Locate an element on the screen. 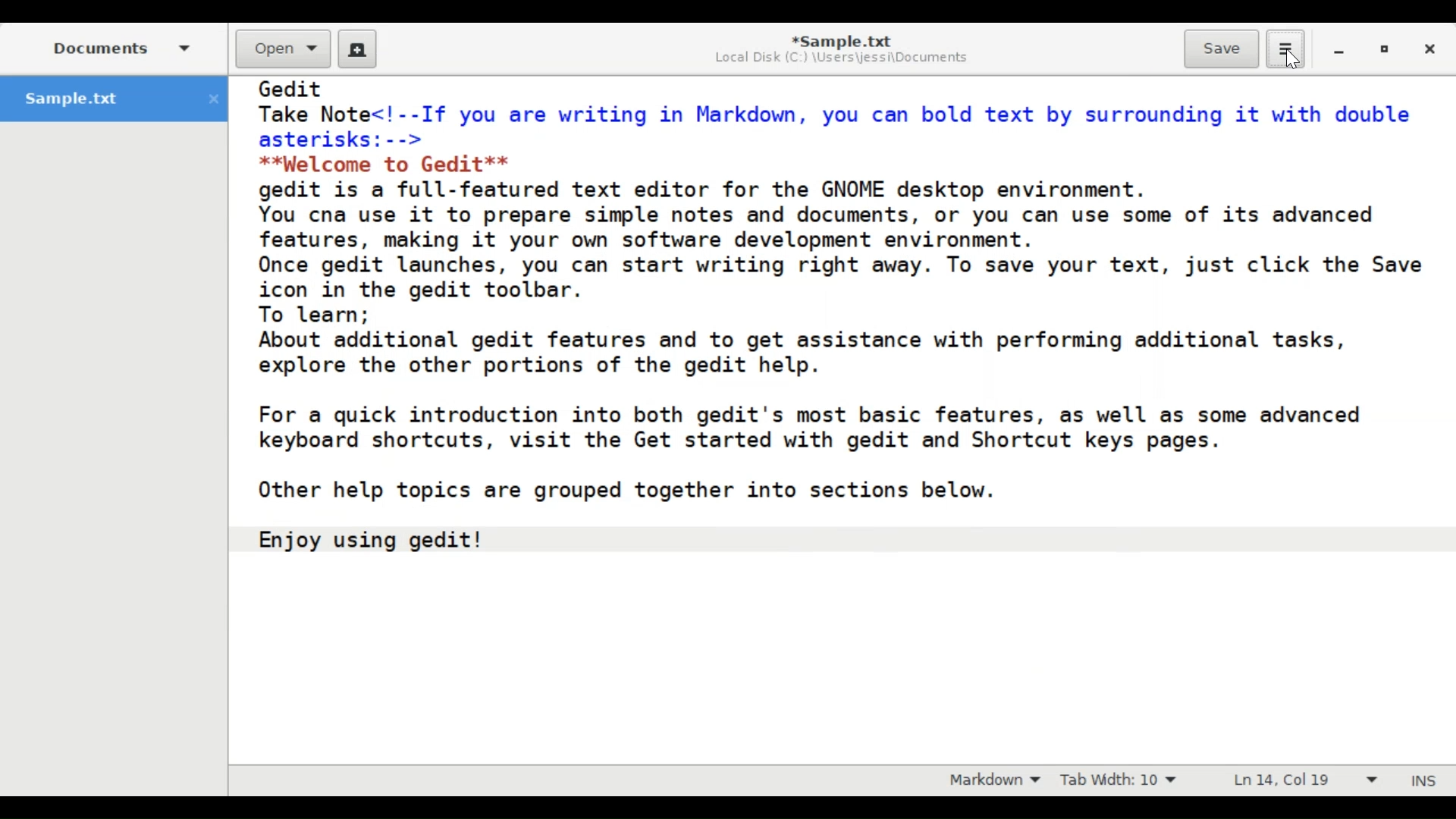 The height and width of the screenshot is (819, 1456). Gedlt

Take Note<!--If you are writing in Markdown, you can bold text by surrounding it with double
asterisks:-->

**Welcome to Gedit**

gedit is a full-featured text editor for the GNOME desktop environment.

You cna use it to prepare simple notes and documents, or you can use some of its advanced
features, making it your own software development environment.

Once gedit launches, you can start writing right away. To save your text, just click the Save
icon in the gedit toolbar.

To learn;

About additional gedit features and to get assistance with performing additional tasks,
explore the other portions of the gedit help.

For a quick introduction into both gedit's most basic features, as well as some advanced
keyboard shortcuts, visit the Get started with gedit and Shortcut keys pages.

Other help topics are grouped together into sections below.

Enjoy using gedit! is located at coordinates (838, 341).